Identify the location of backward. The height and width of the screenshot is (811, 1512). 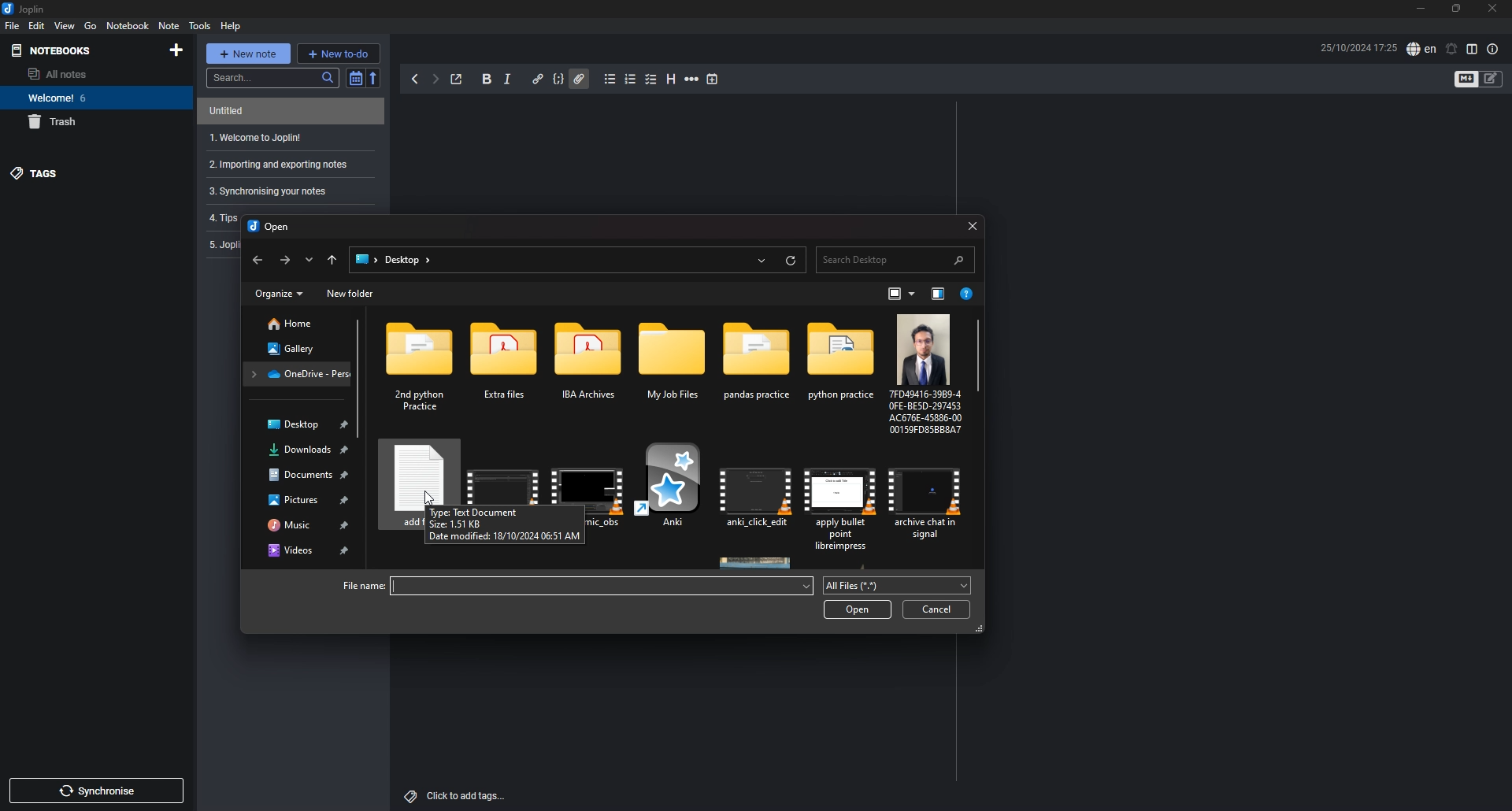
(415, 79).